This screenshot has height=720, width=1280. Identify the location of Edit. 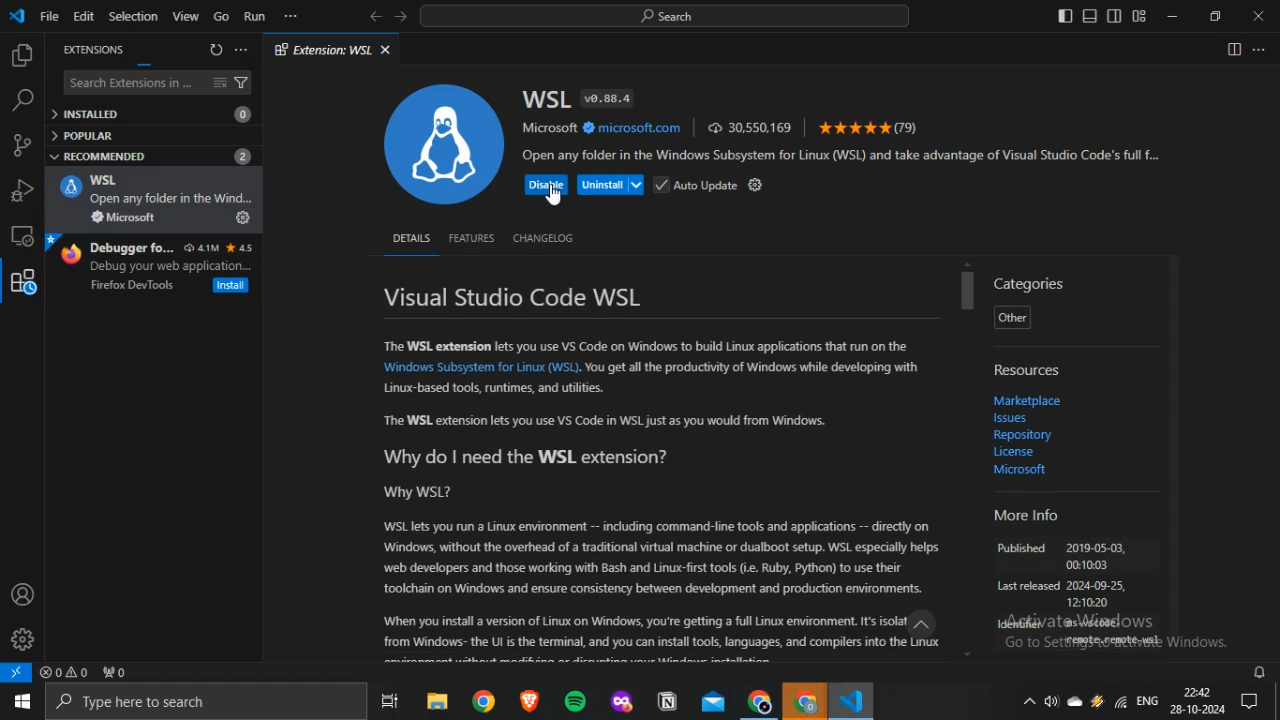
(82, 16).